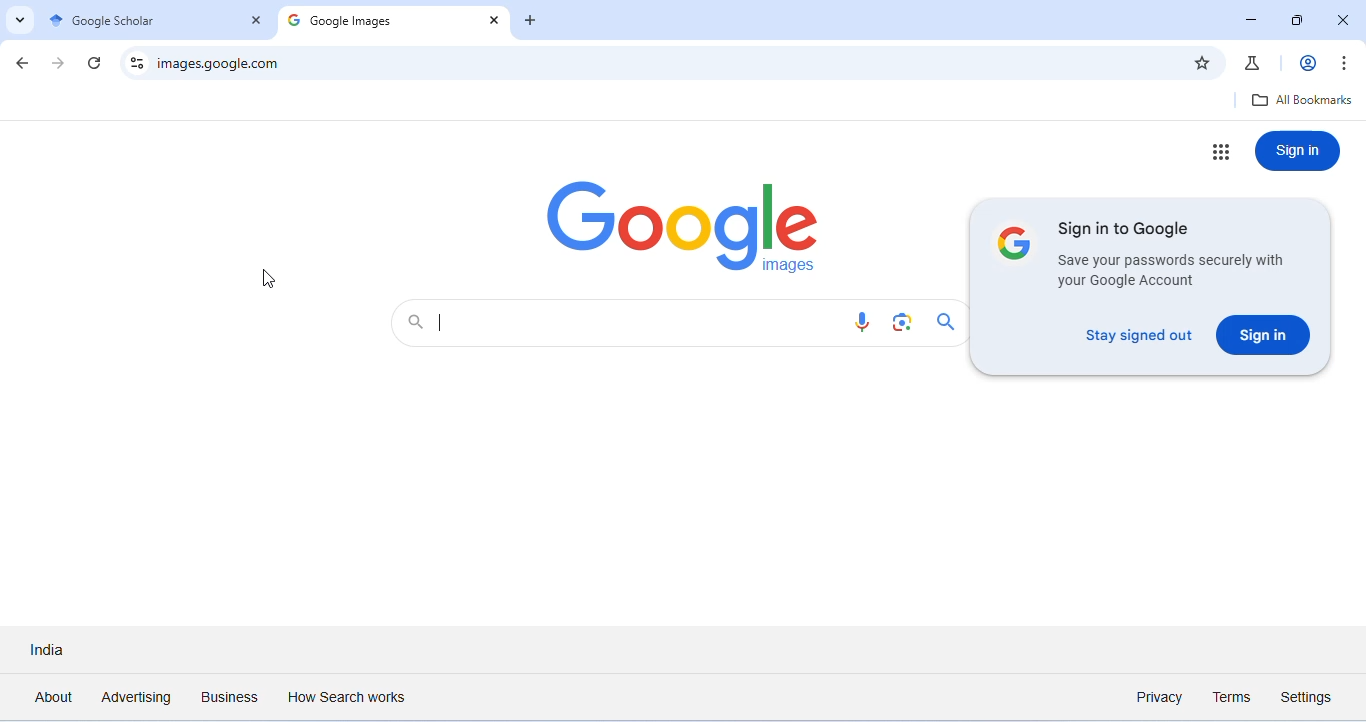 Image resolution: width=1366 pixels, height=722 pixels. Describe the element at coordinates (45, 650) in the screenshot. I see `India` at that location.